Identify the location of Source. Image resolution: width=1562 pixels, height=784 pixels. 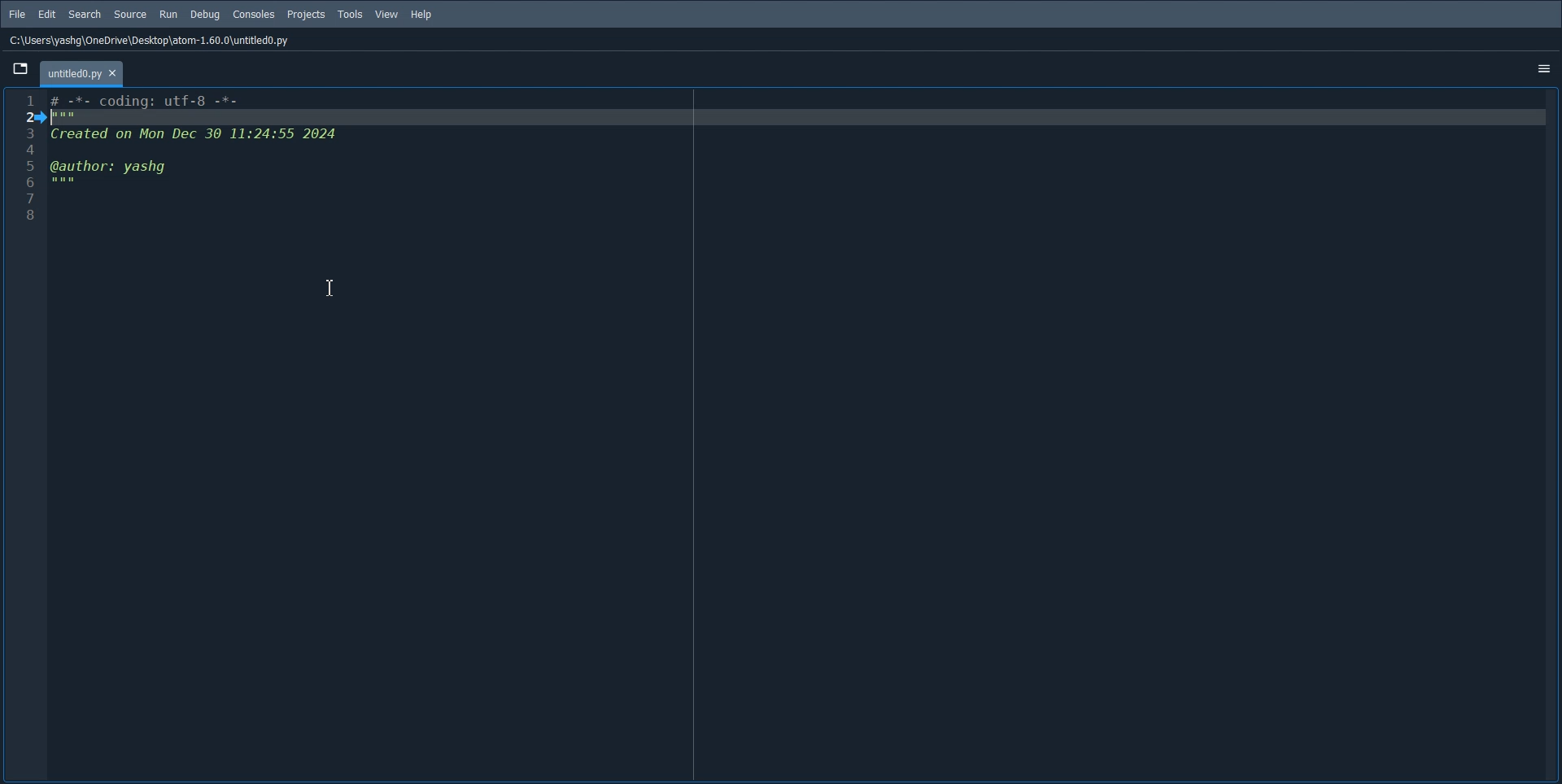
(130, 14).